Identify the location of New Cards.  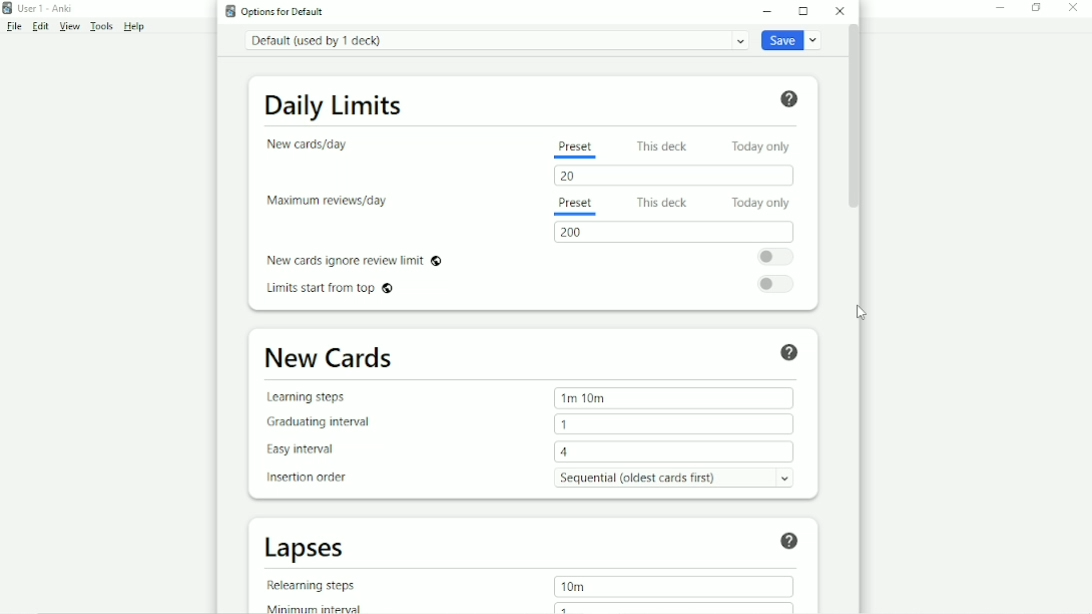
(332, 357).